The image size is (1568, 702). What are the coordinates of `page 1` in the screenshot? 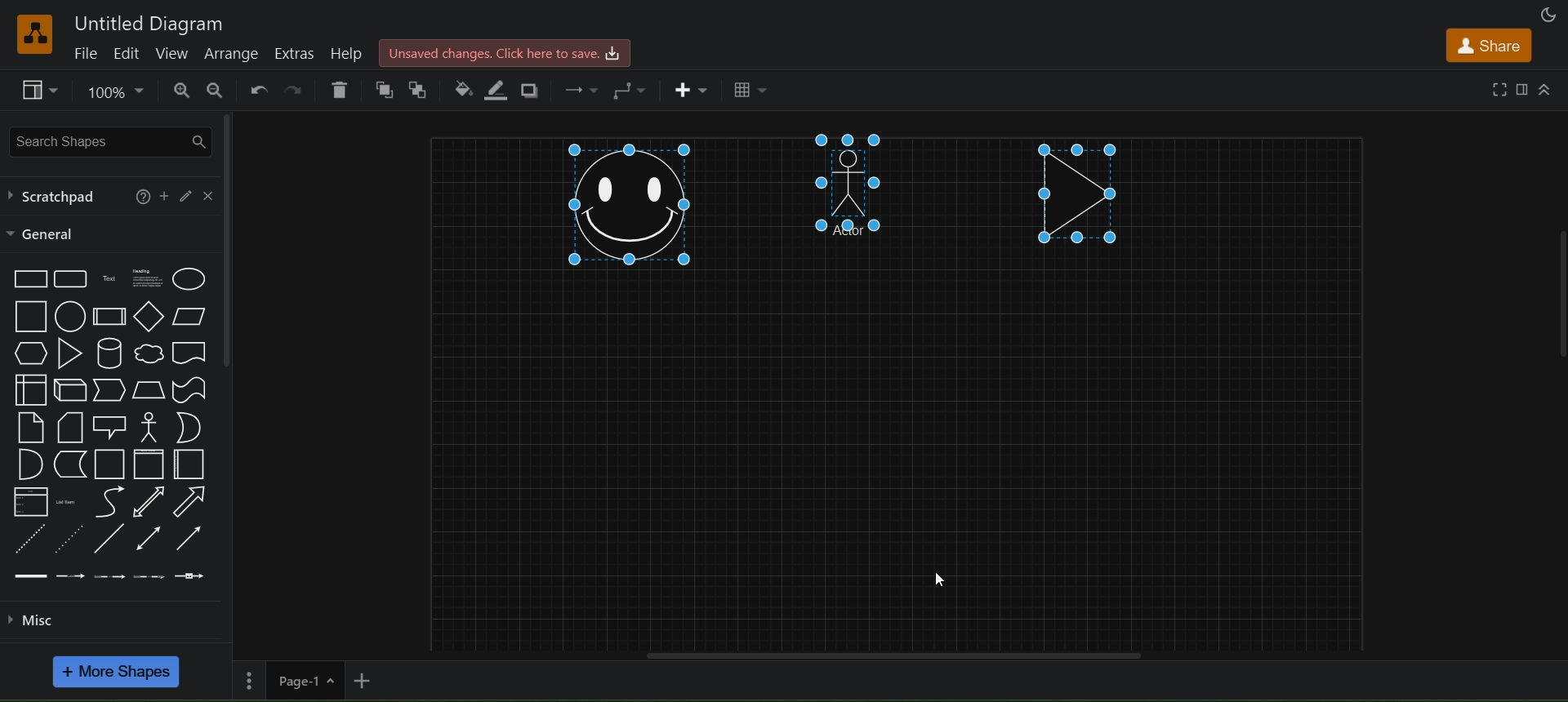 It's located at (287, 681).